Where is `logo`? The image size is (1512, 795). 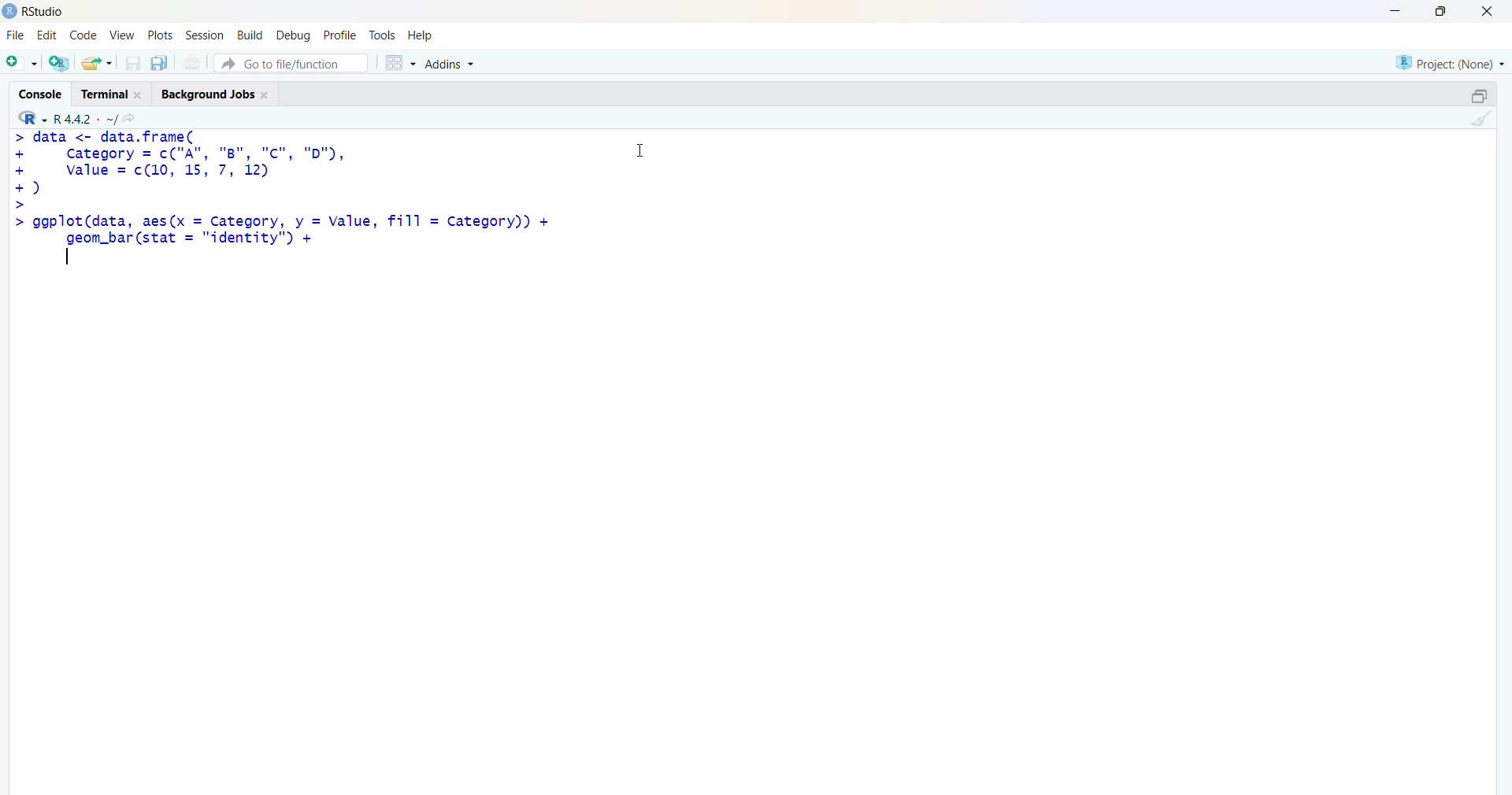 logo is located at coordinates (10, 11).